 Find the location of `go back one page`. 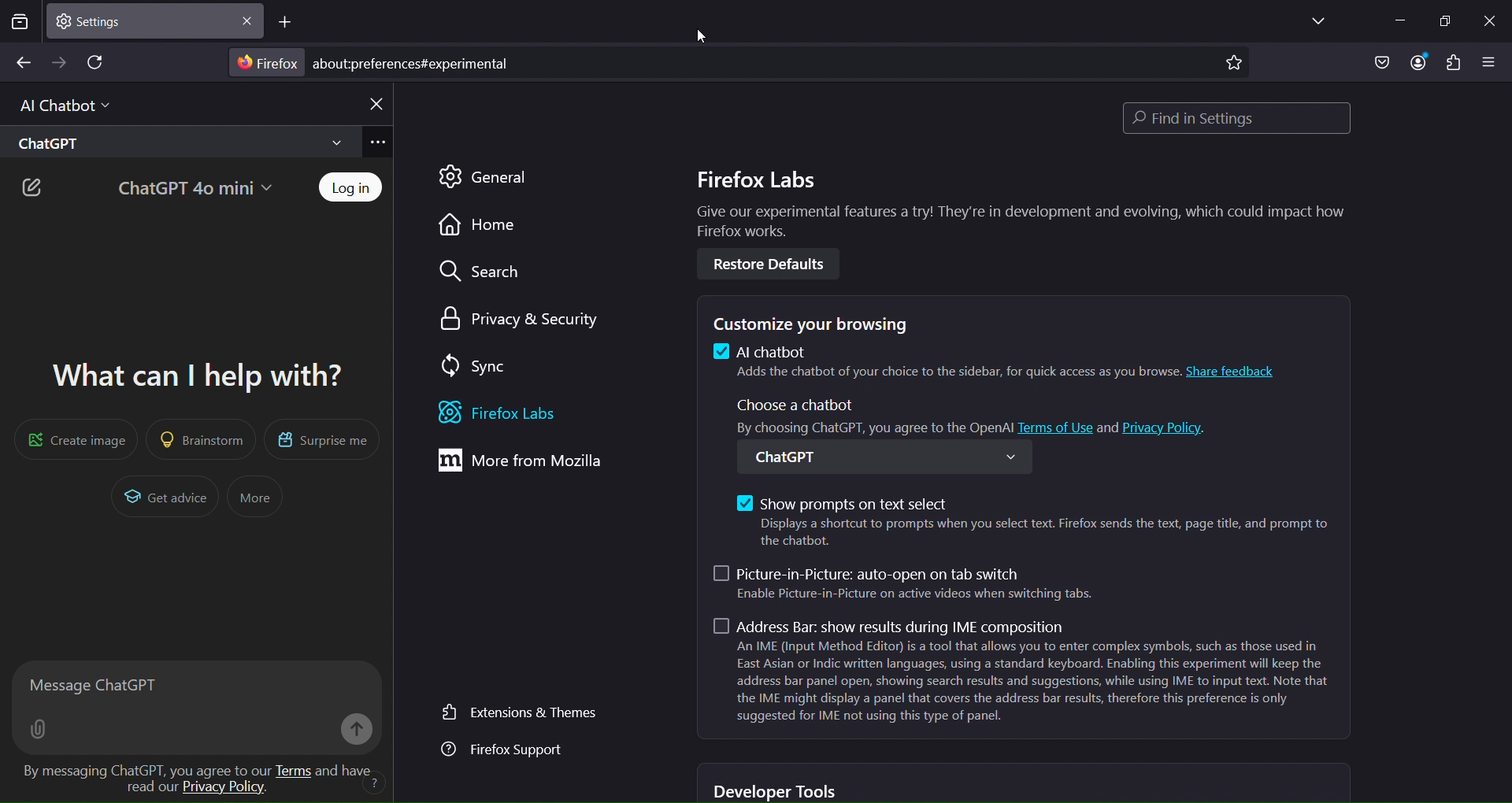

go back one page is located at coordinates (22, 62).